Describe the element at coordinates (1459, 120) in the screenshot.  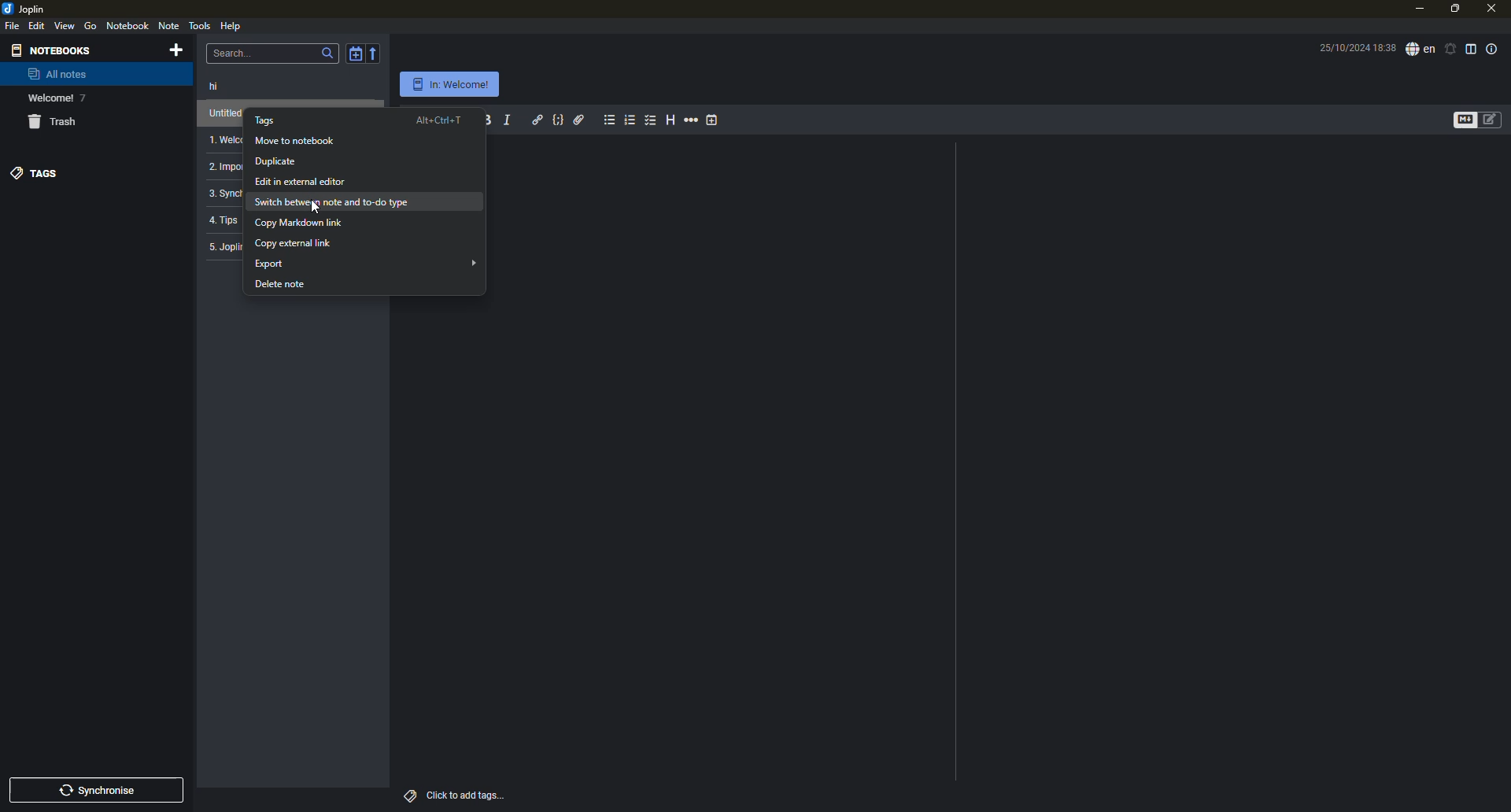
I see `toggle editors` at that location.